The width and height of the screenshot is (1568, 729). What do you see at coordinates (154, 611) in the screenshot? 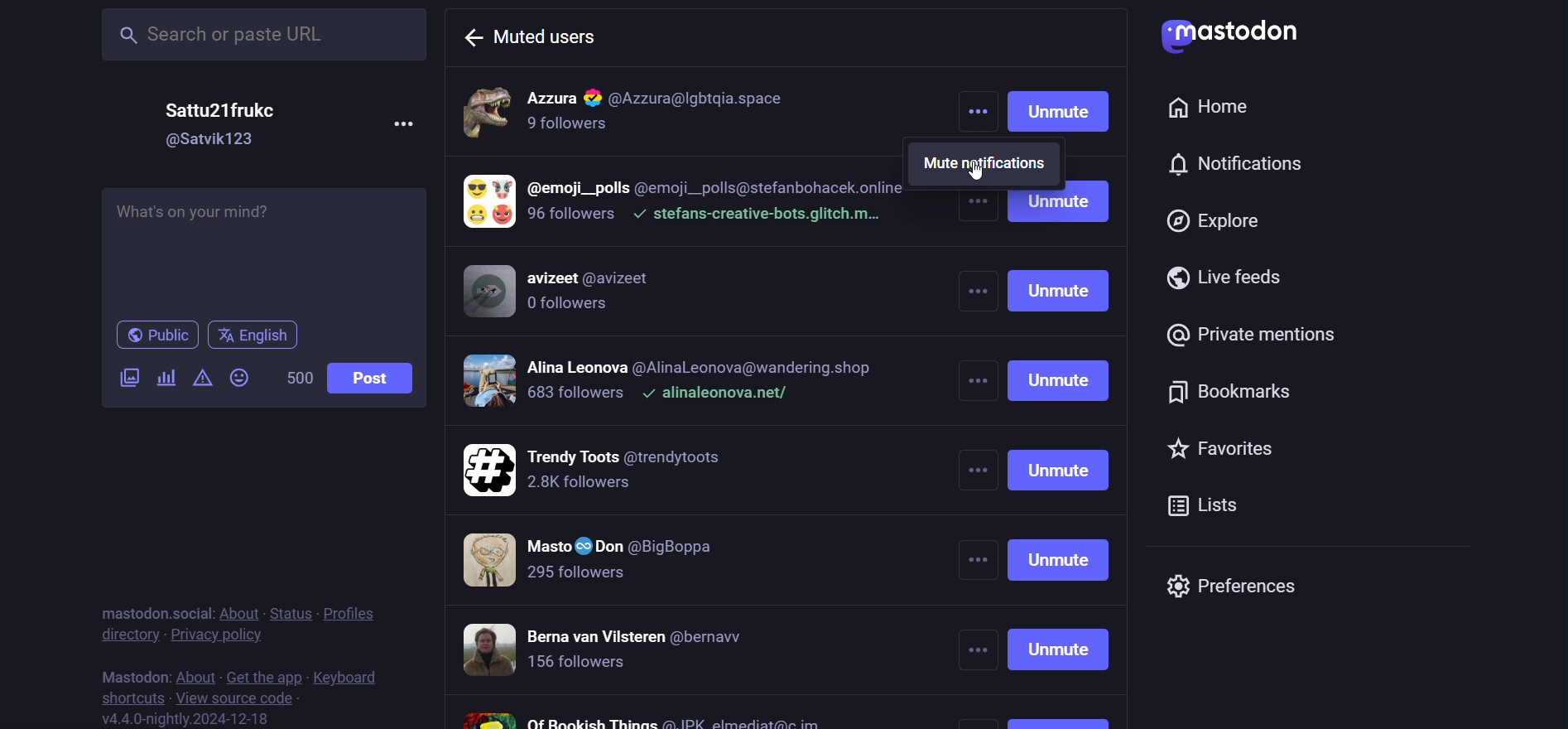
I see `mastodon social` at bounding box center [154, 611].